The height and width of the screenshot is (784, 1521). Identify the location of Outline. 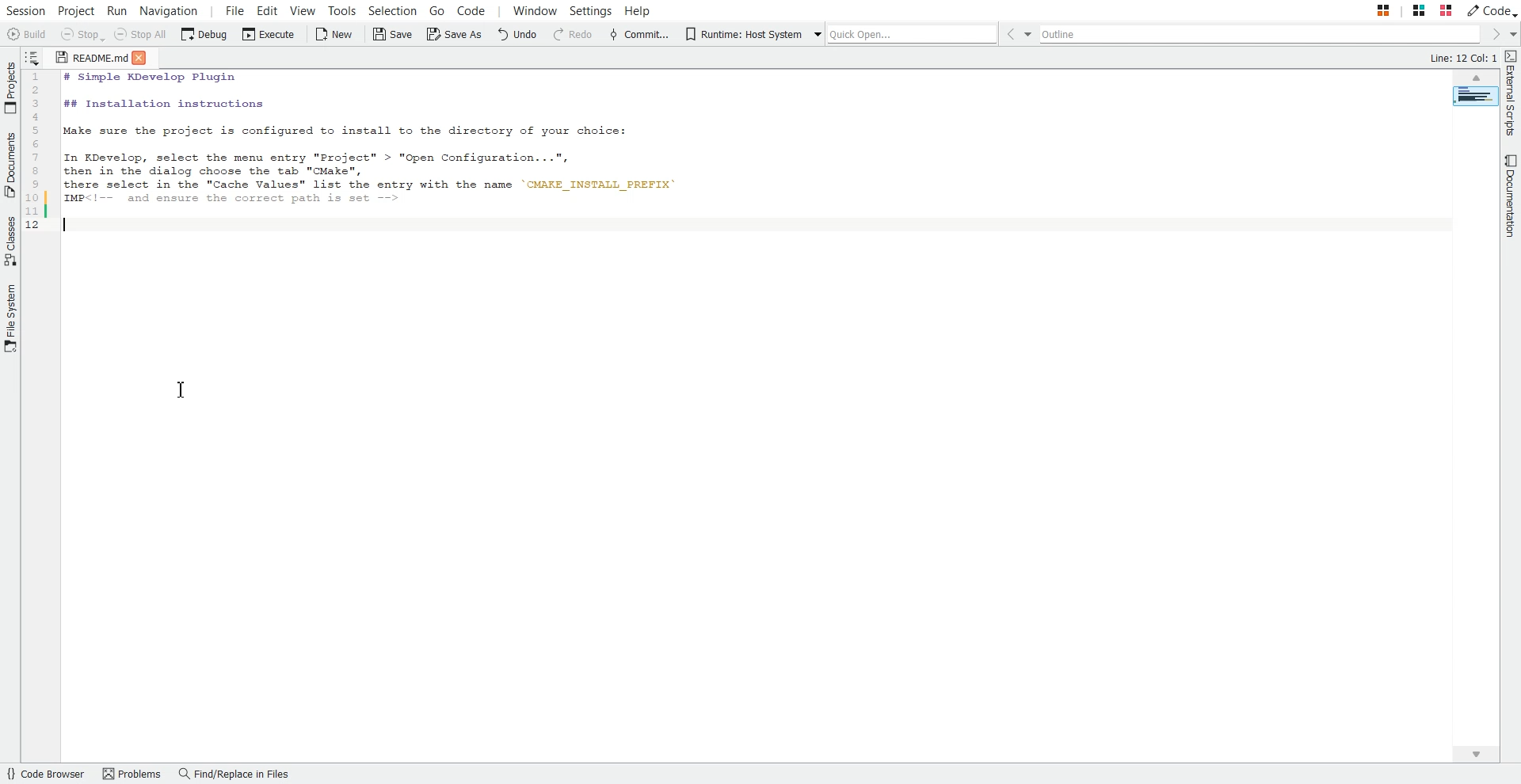
(1264, 34).